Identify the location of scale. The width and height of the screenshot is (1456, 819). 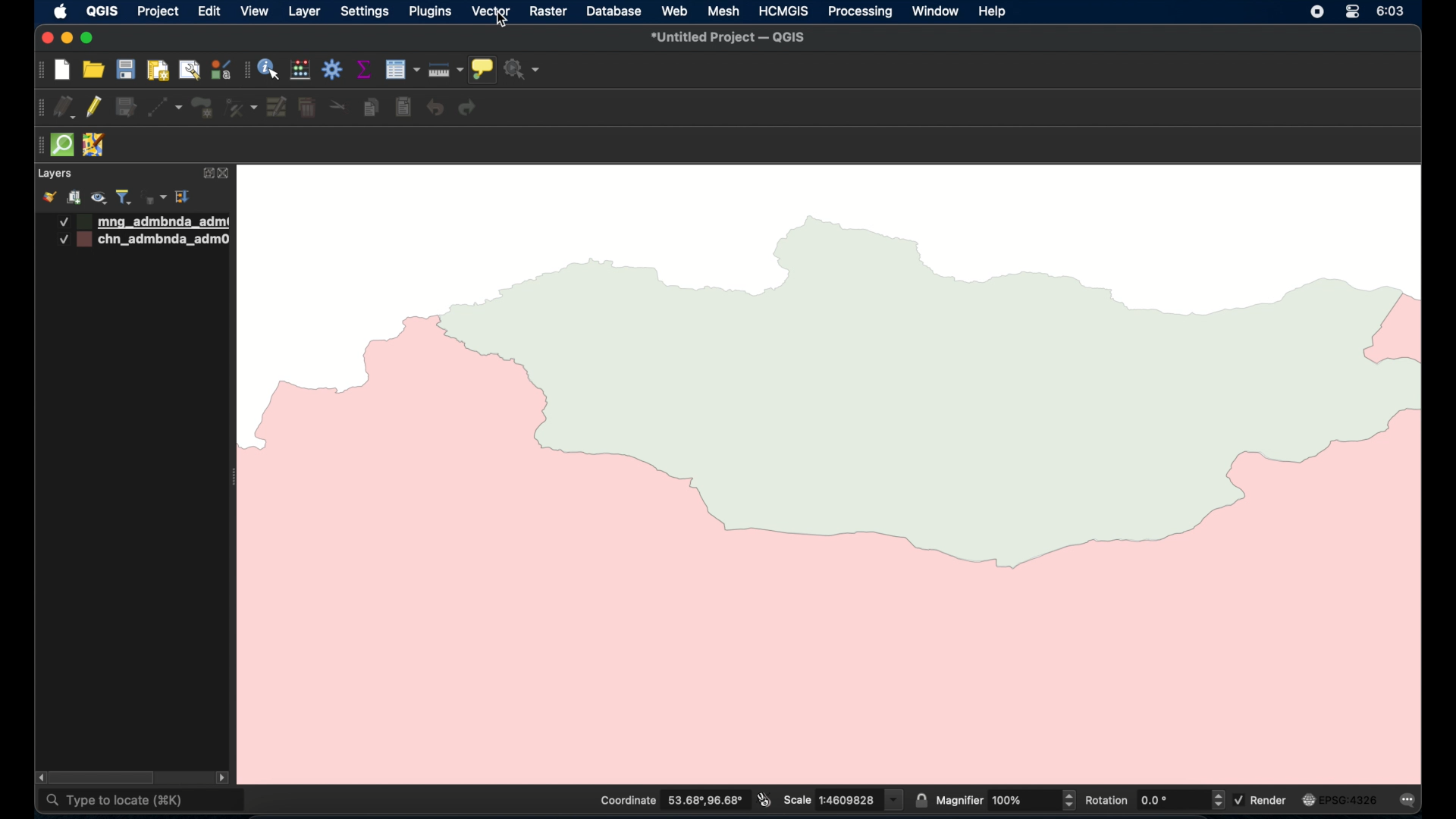
(843, 799).